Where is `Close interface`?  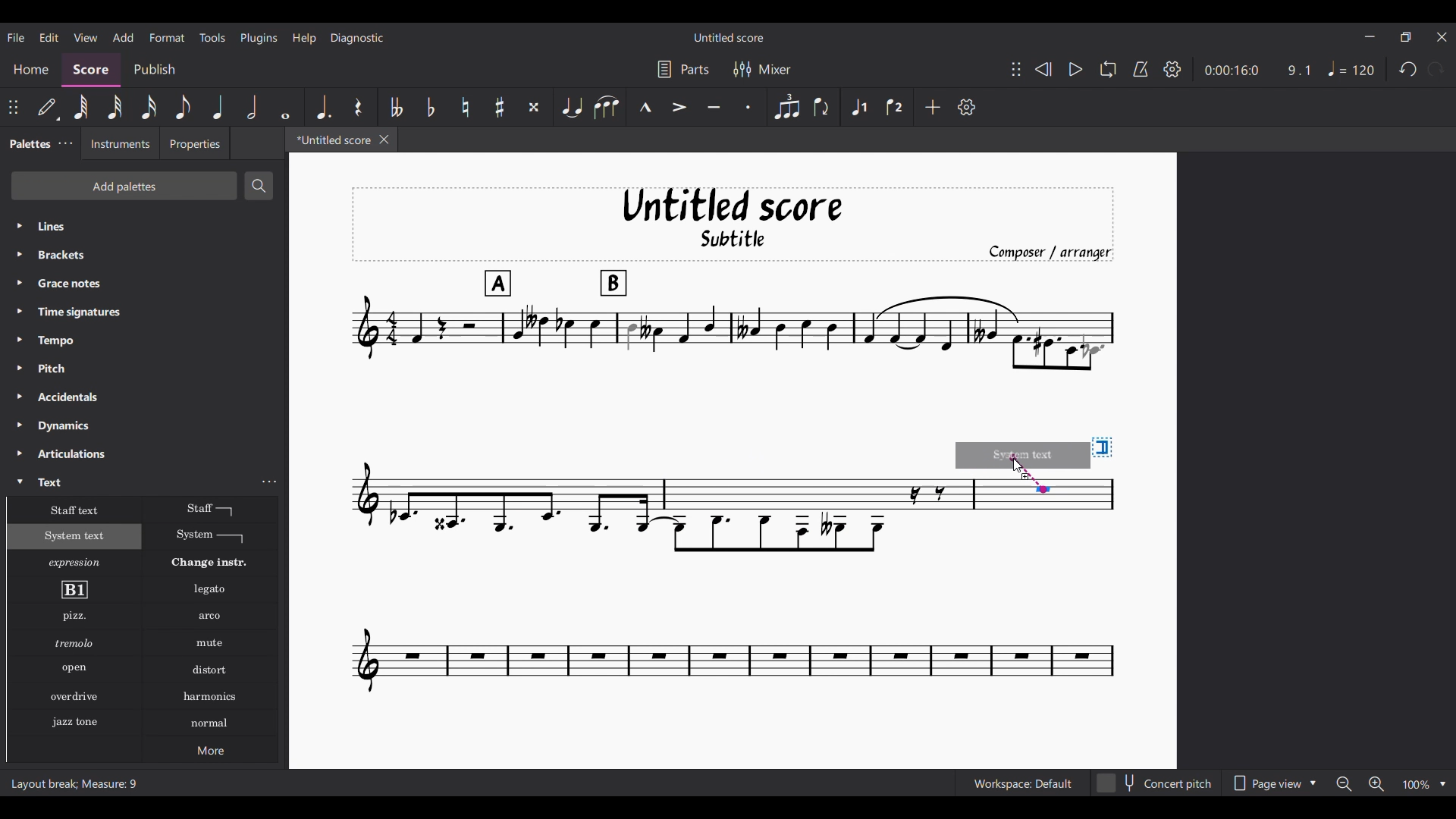 Close interface is located at coordinates (1442, 37).